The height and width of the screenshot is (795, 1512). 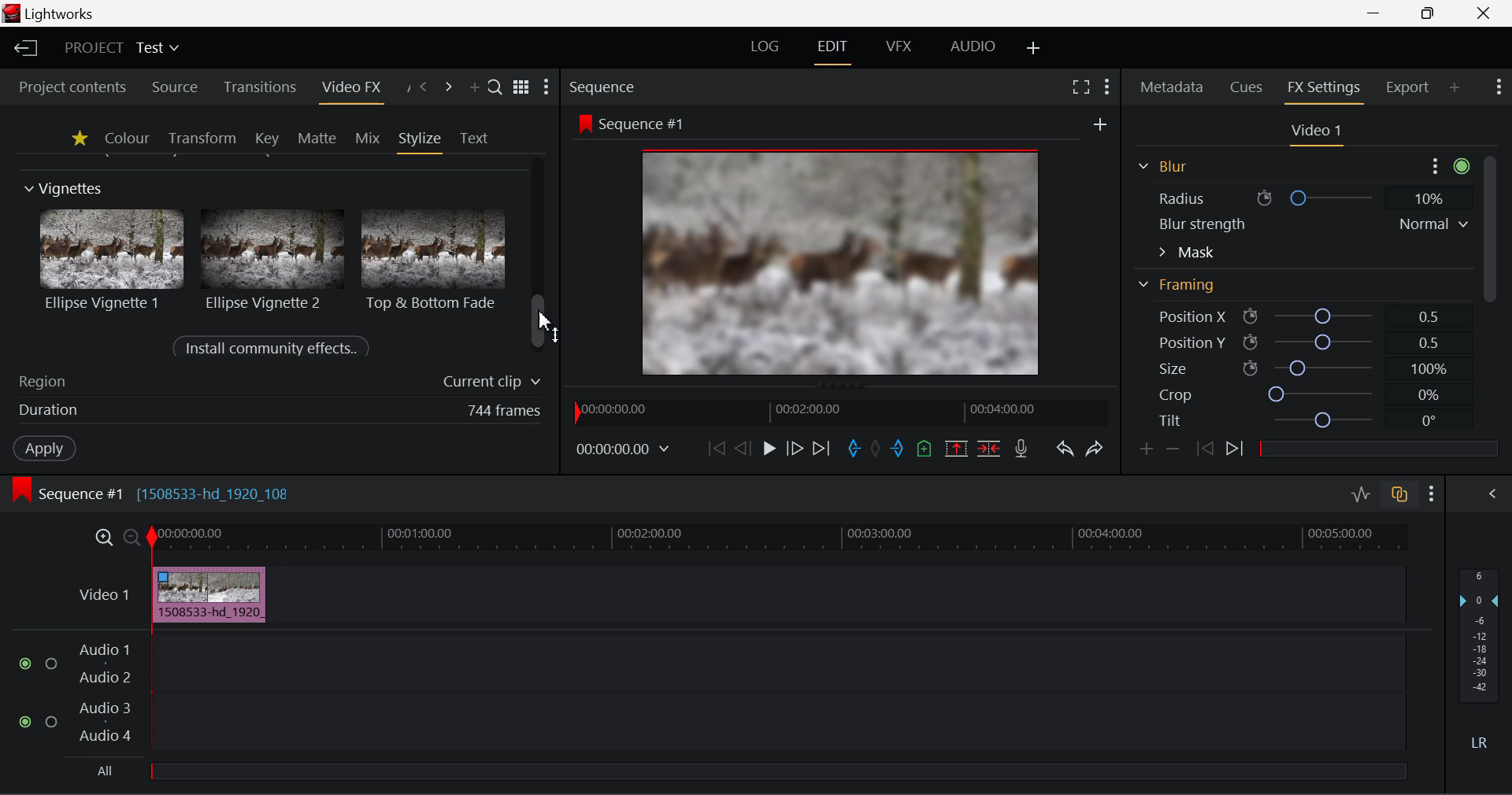 I want to click on Blur strength Normal v, so click(x=1311, y=224).